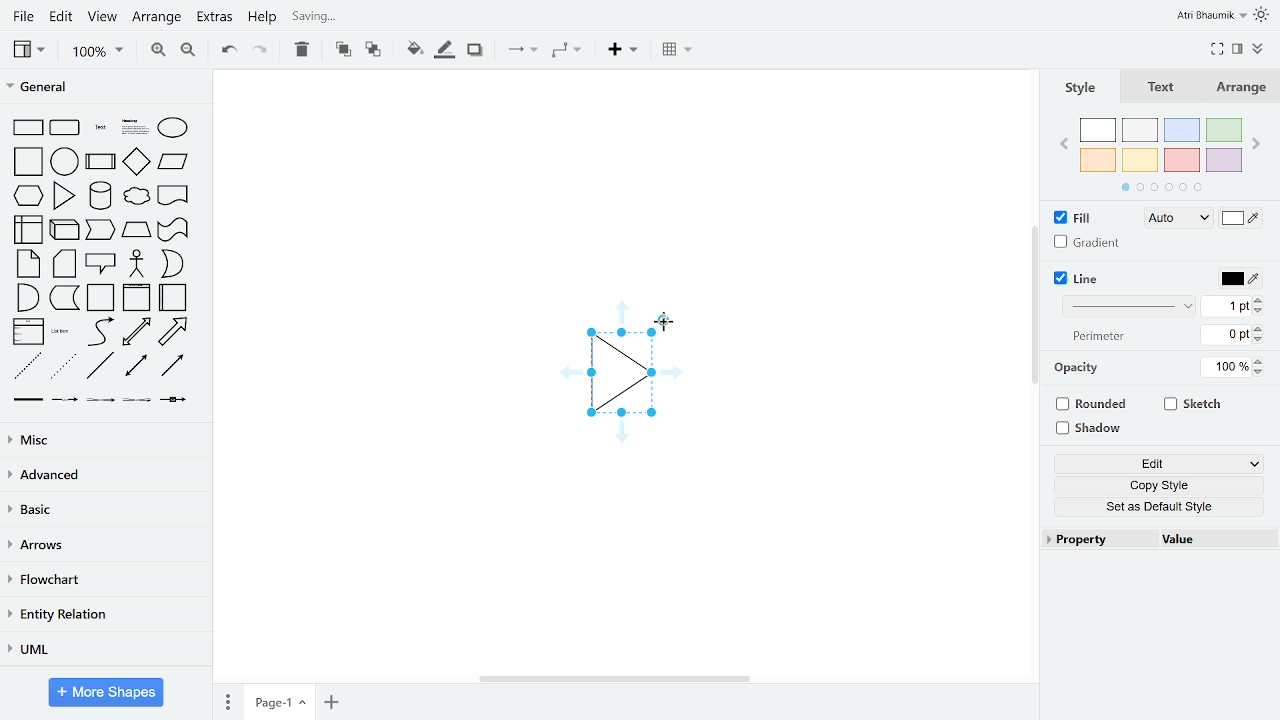 The width and height of the screenshot is (1280, 720). Describe the element at coordinates (65, 229) in the screenshot. I see `cube` at that location.